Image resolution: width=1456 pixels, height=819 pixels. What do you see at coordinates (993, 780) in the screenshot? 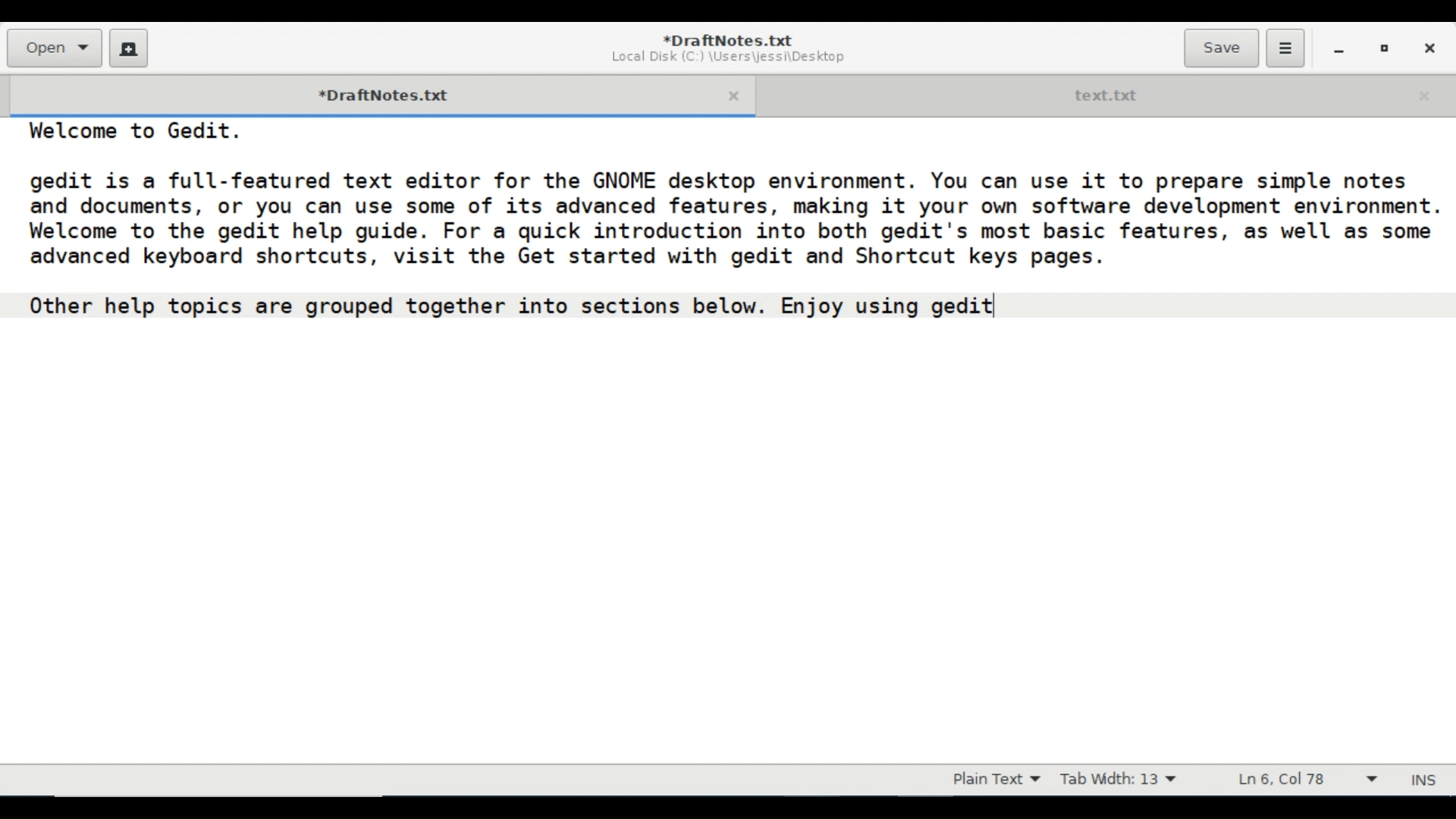
I see `File type` at bounding box center [993, 780].